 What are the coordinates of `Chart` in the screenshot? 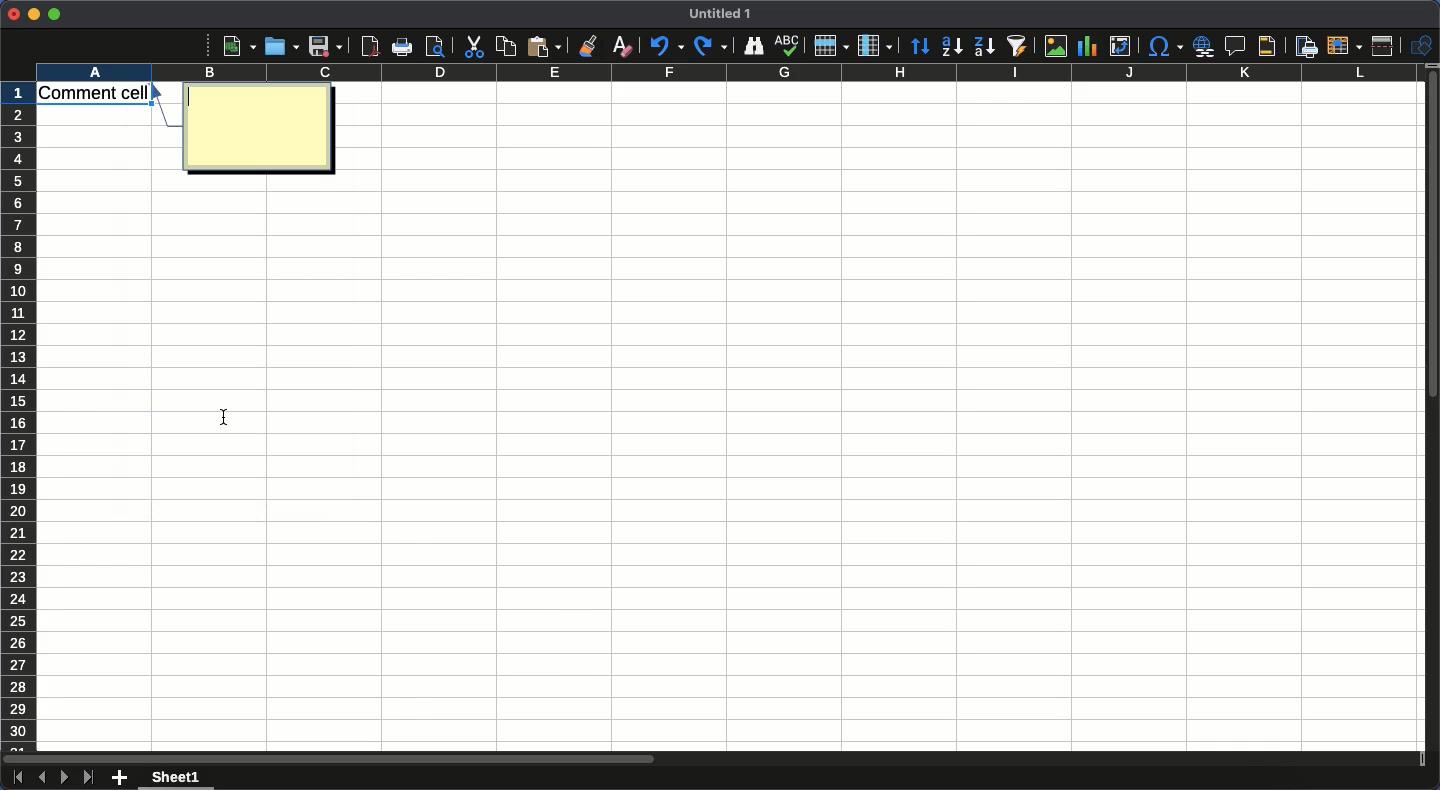 It's located at (1086, 45).